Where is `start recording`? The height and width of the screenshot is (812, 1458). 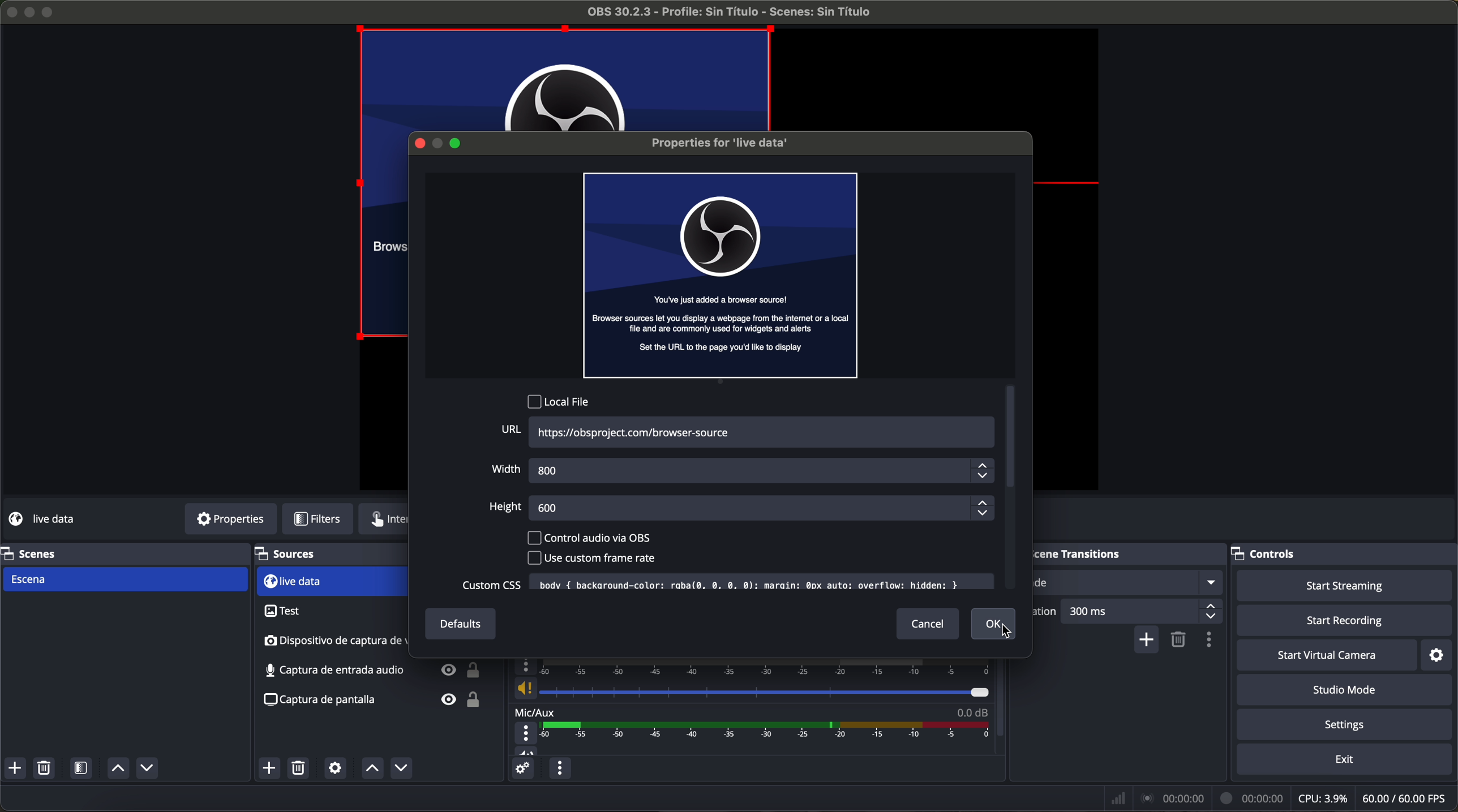
start recording is located at coordinates (1345, 622).